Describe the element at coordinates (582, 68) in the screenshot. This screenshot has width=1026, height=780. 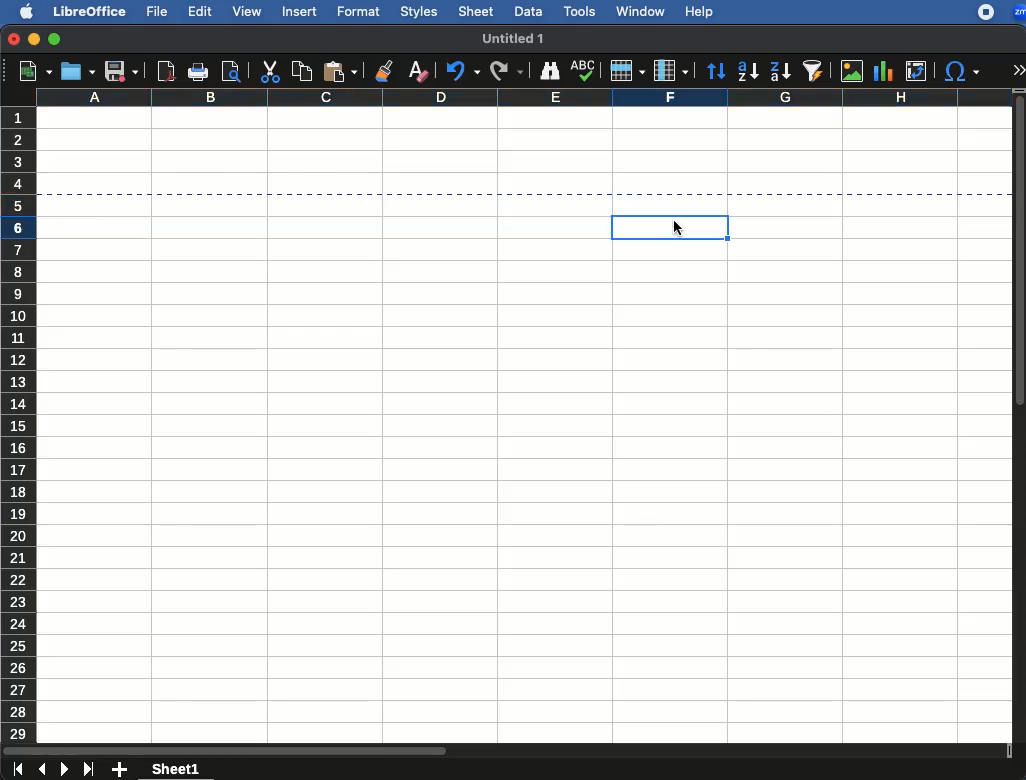
I see `spell check` at that location.